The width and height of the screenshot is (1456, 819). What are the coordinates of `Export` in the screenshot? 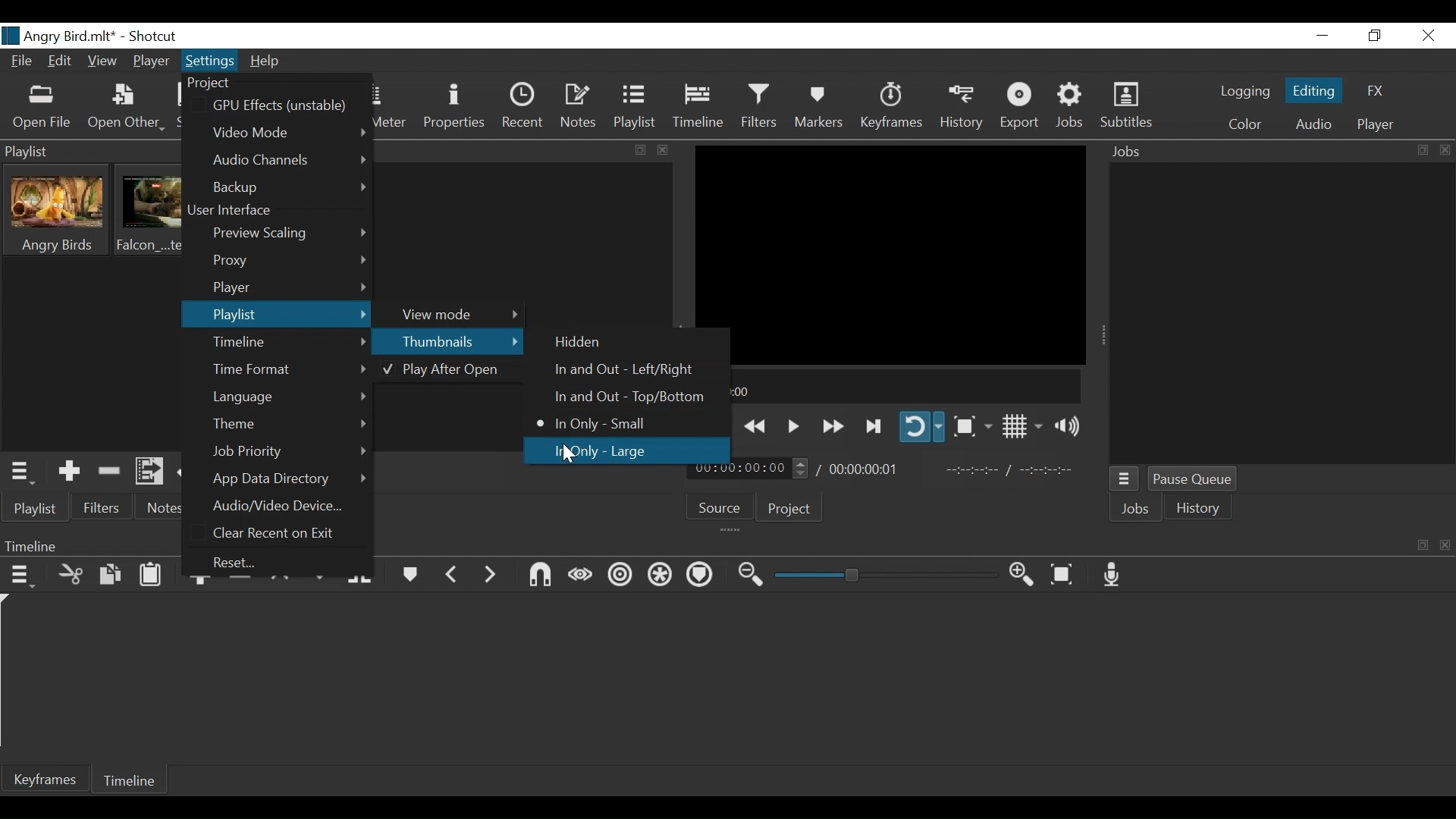 It's located at (1021, 106).